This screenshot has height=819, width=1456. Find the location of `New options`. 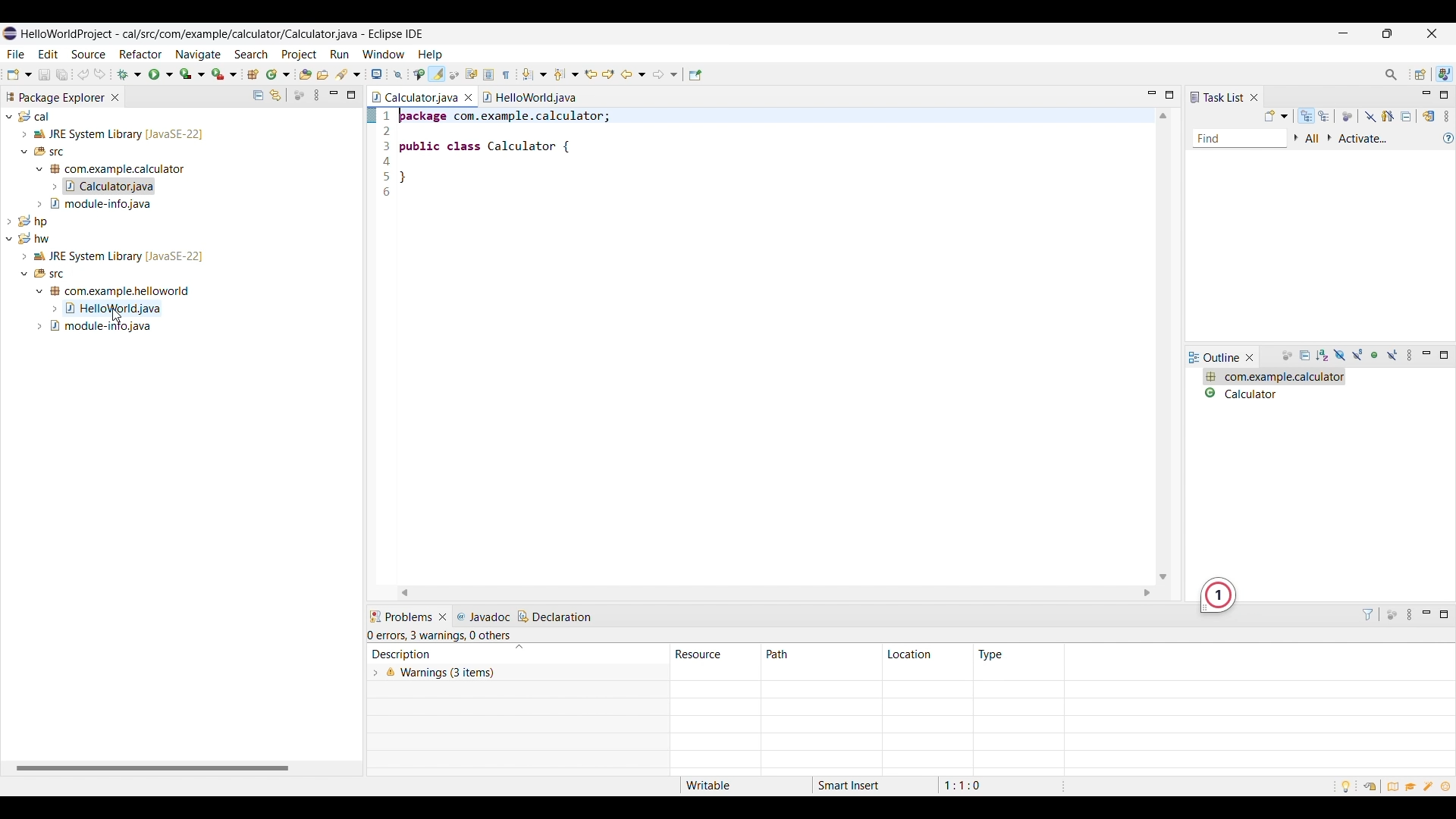

New options is located at coordinates (20, 74).